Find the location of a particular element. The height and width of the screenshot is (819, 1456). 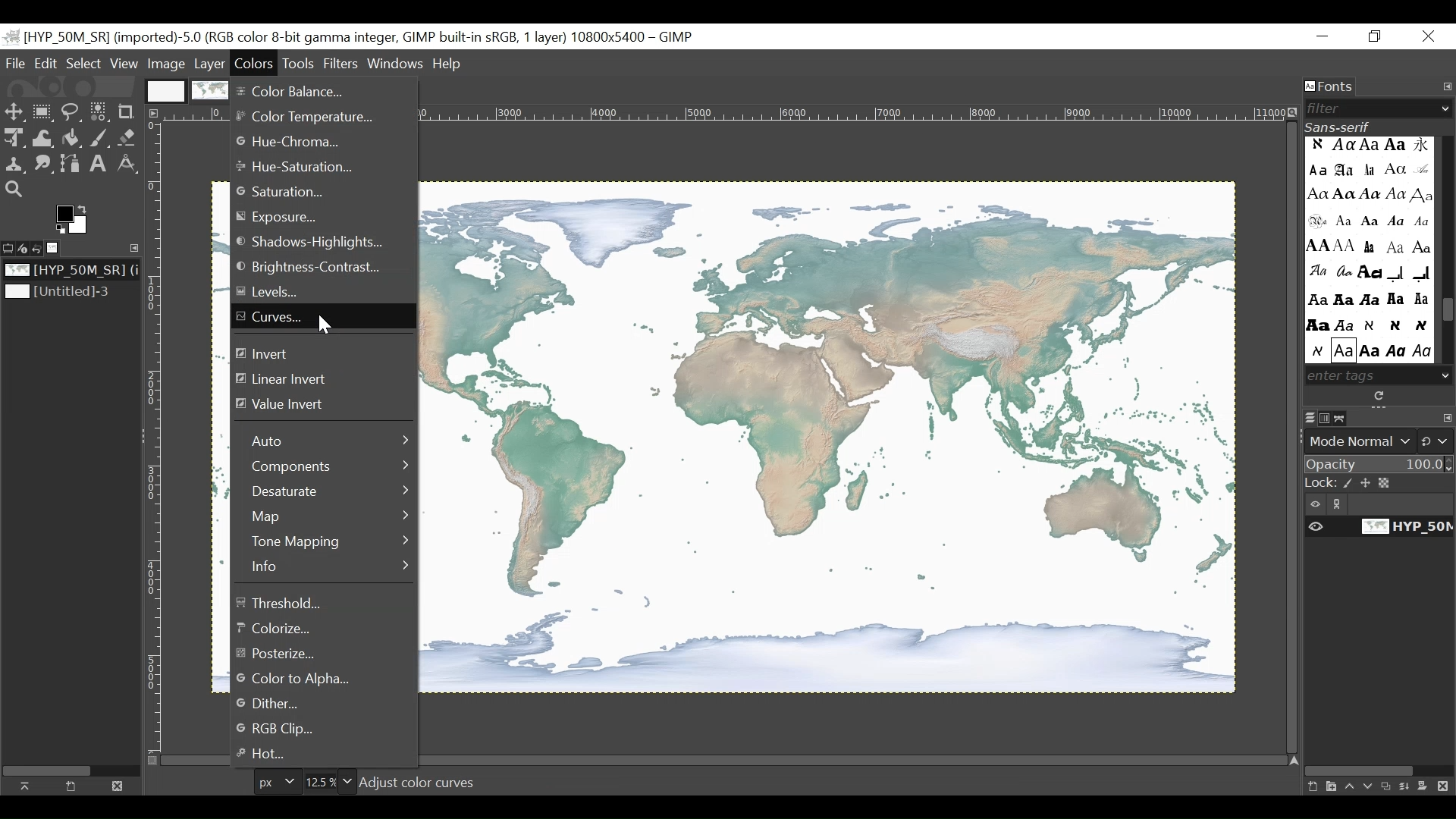

Select is located at coordinates (83, 64).